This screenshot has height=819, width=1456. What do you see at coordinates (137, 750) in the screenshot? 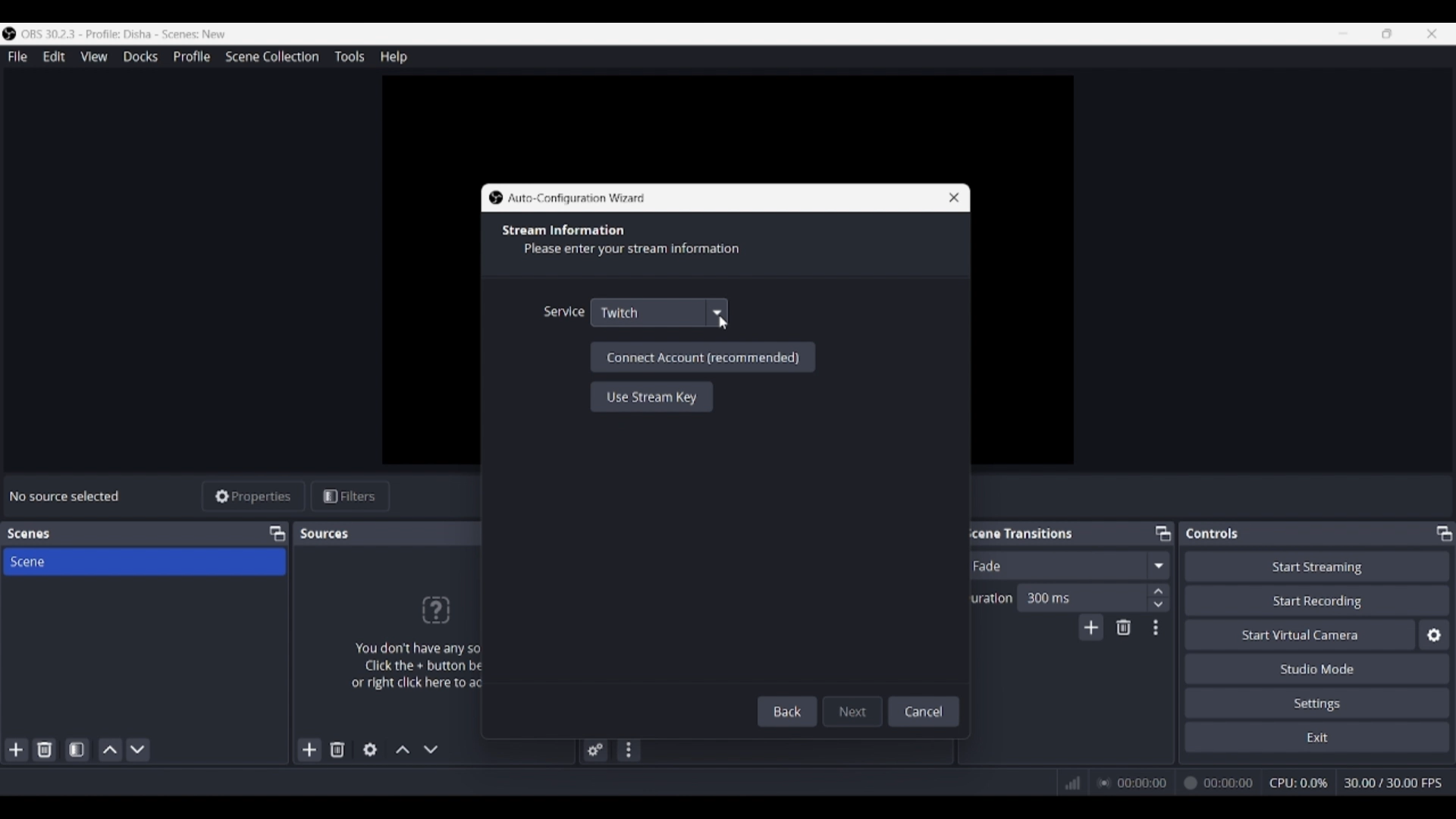
I see `Move scene down` at bounding box center [137, 750].